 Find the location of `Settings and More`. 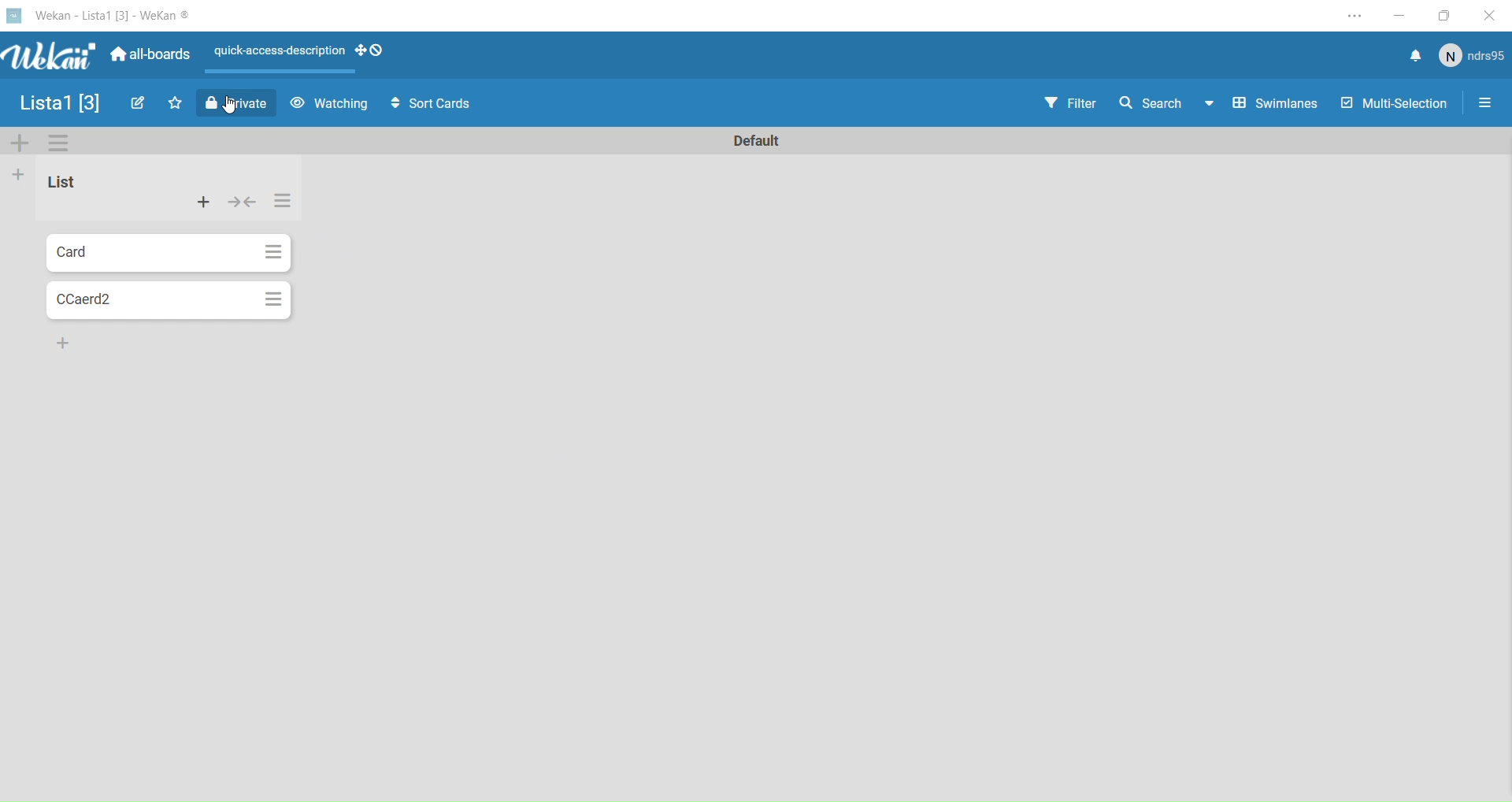

Settings and More is located at coordinates (1352, 13).